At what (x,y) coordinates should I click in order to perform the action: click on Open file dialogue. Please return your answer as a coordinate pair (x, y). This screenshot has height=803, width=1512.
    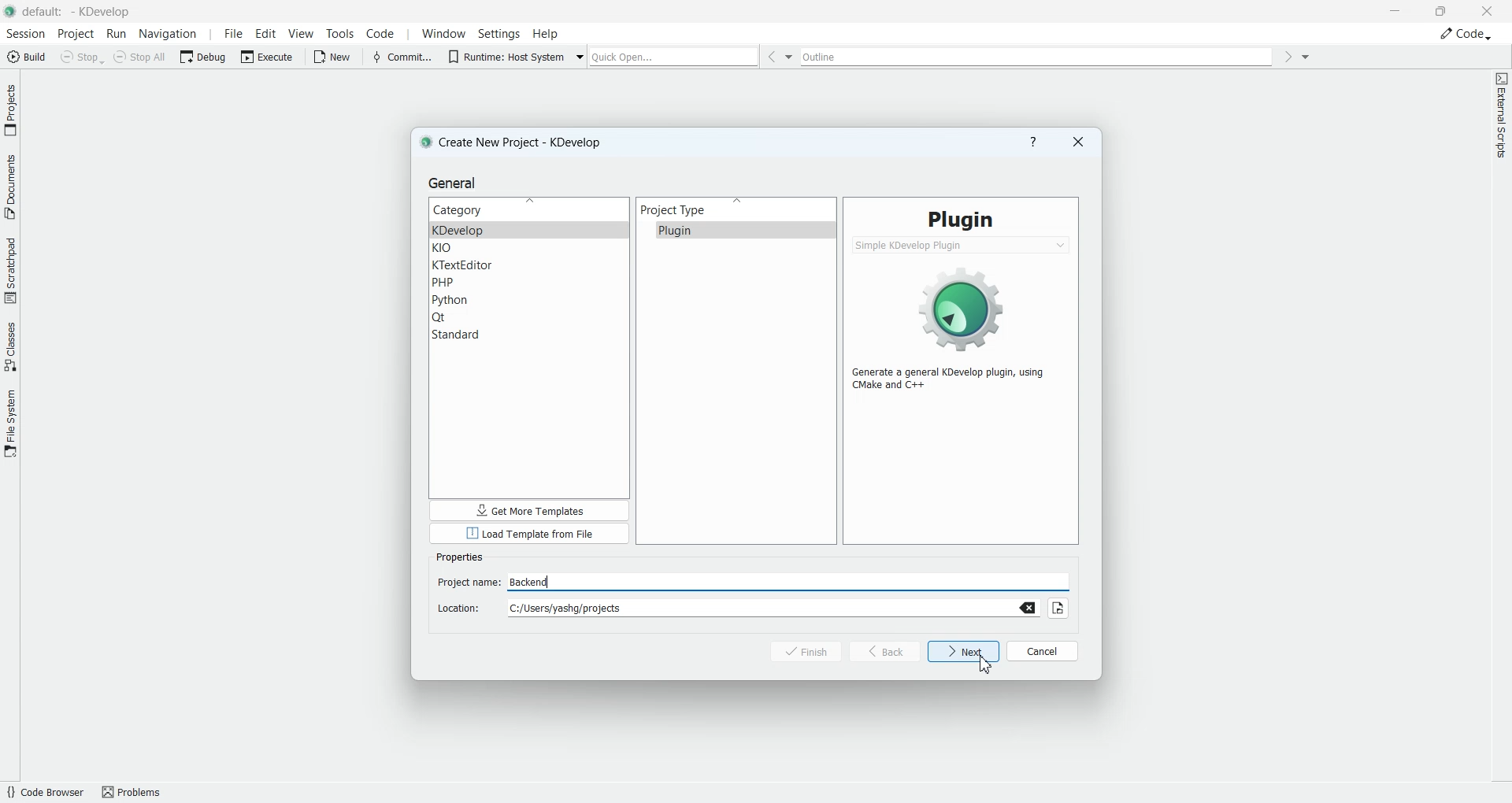
    Looking at the image, I should click on (1062, 606).